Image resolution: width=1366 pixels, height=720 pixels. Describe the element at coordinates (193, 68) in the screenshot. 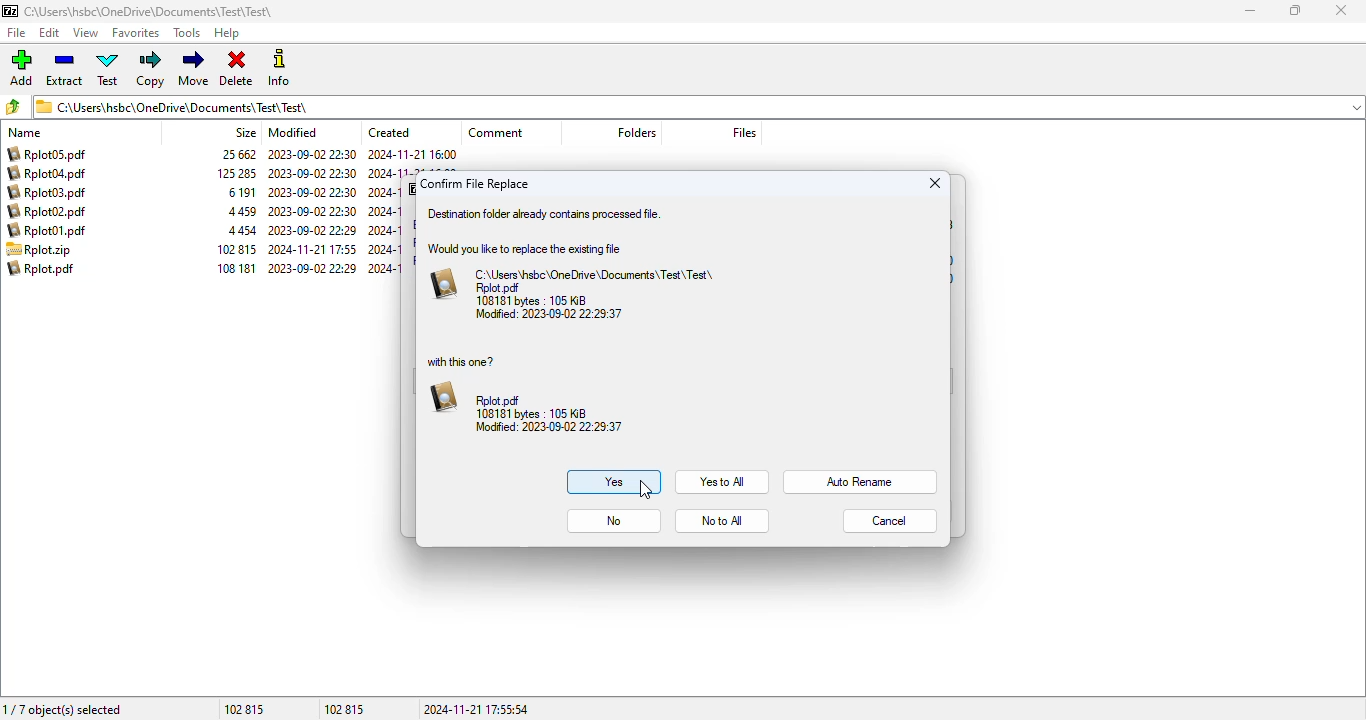

I see `move` at that location.